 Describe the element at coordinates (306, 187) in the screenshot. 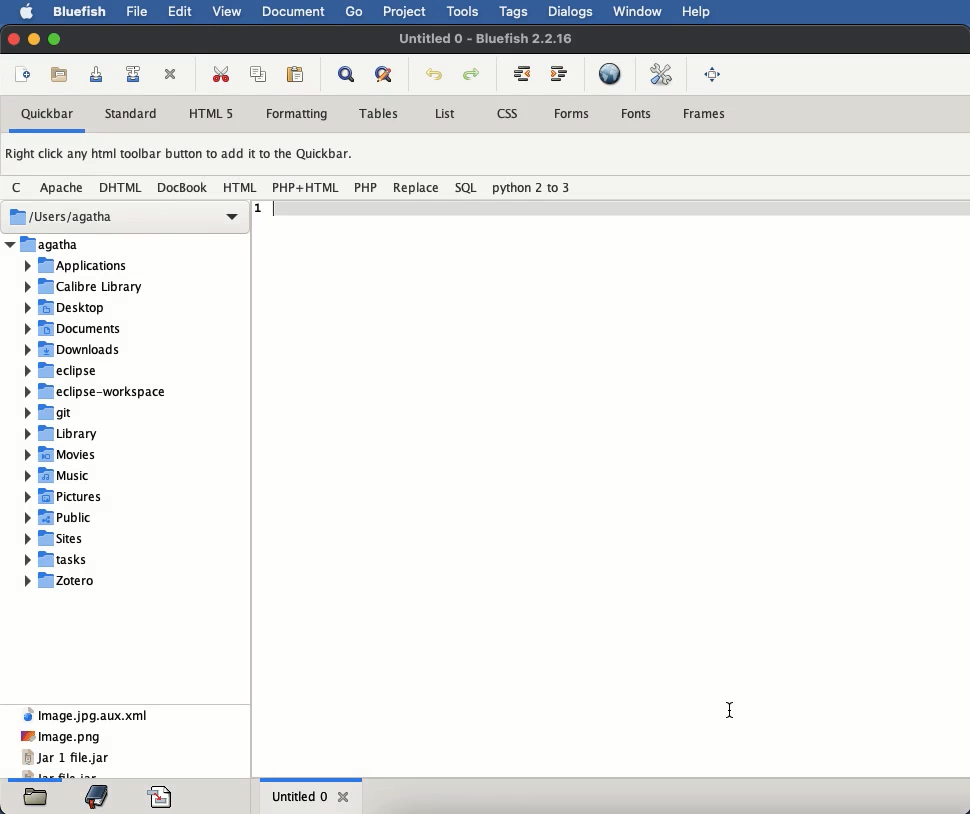

I see `PHP + HTML` at that location.